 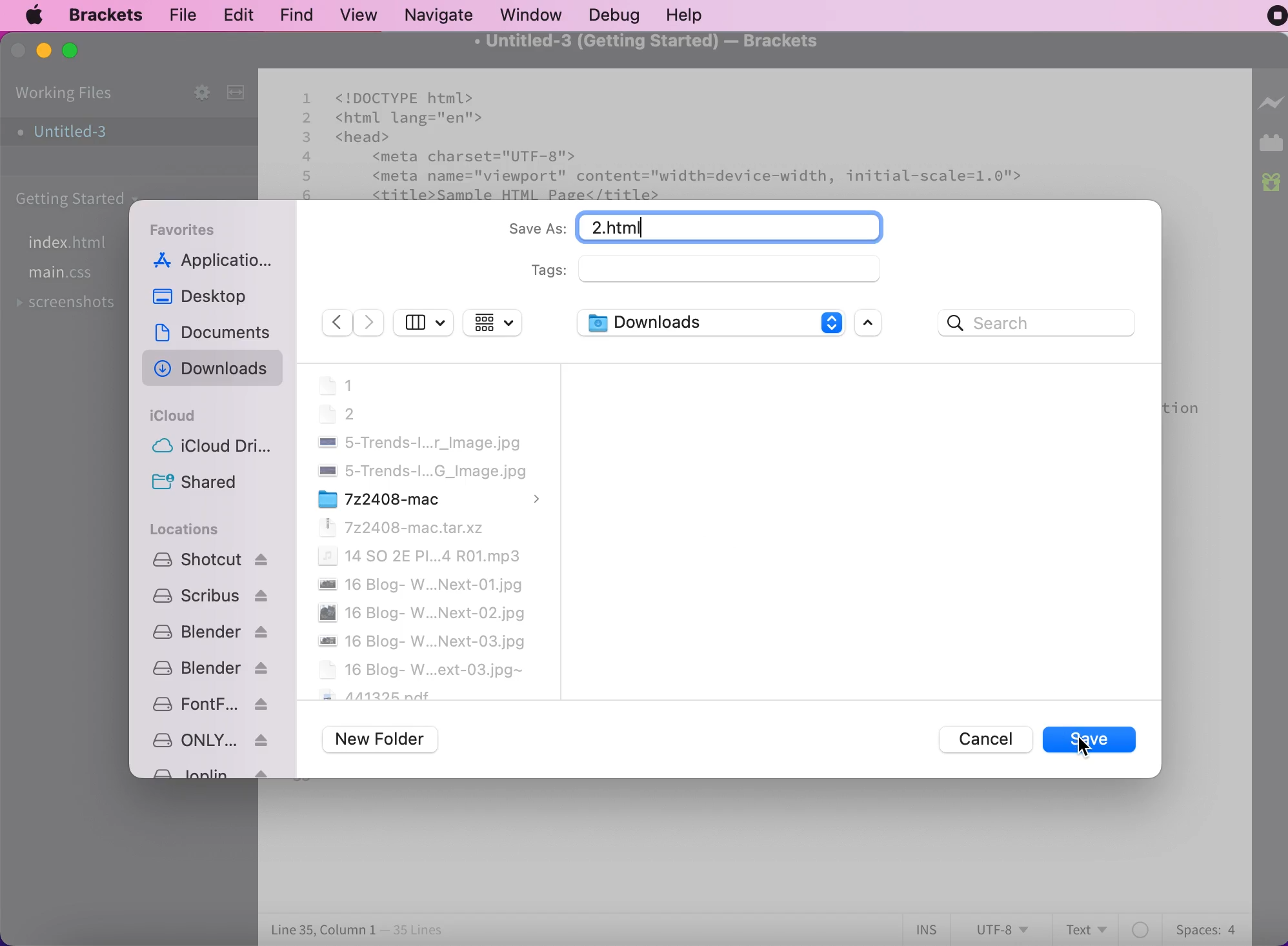 I want to click on blender, so click(x=209, y=632).